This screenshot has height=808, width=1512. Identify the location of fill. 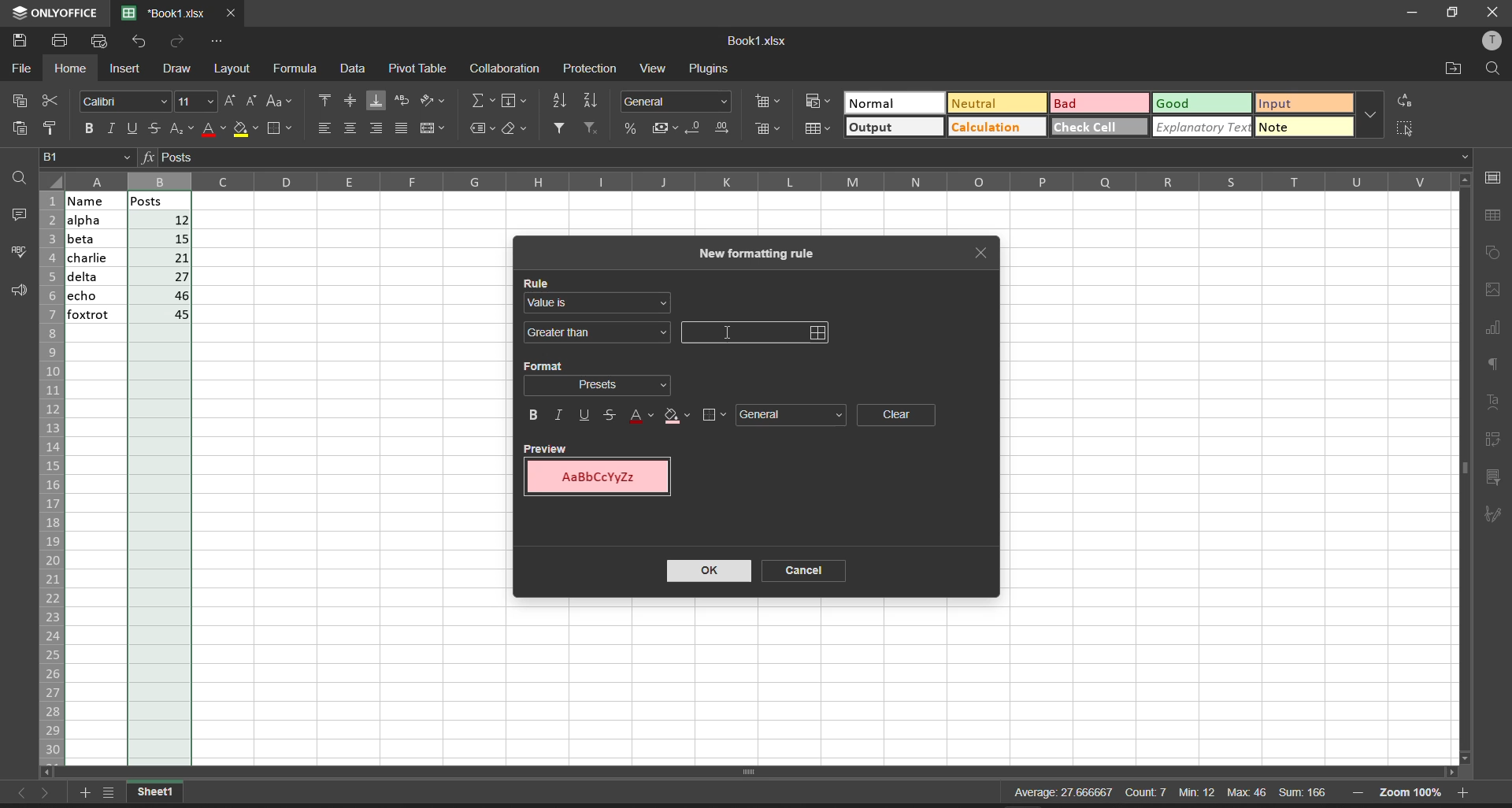
(514, 101).